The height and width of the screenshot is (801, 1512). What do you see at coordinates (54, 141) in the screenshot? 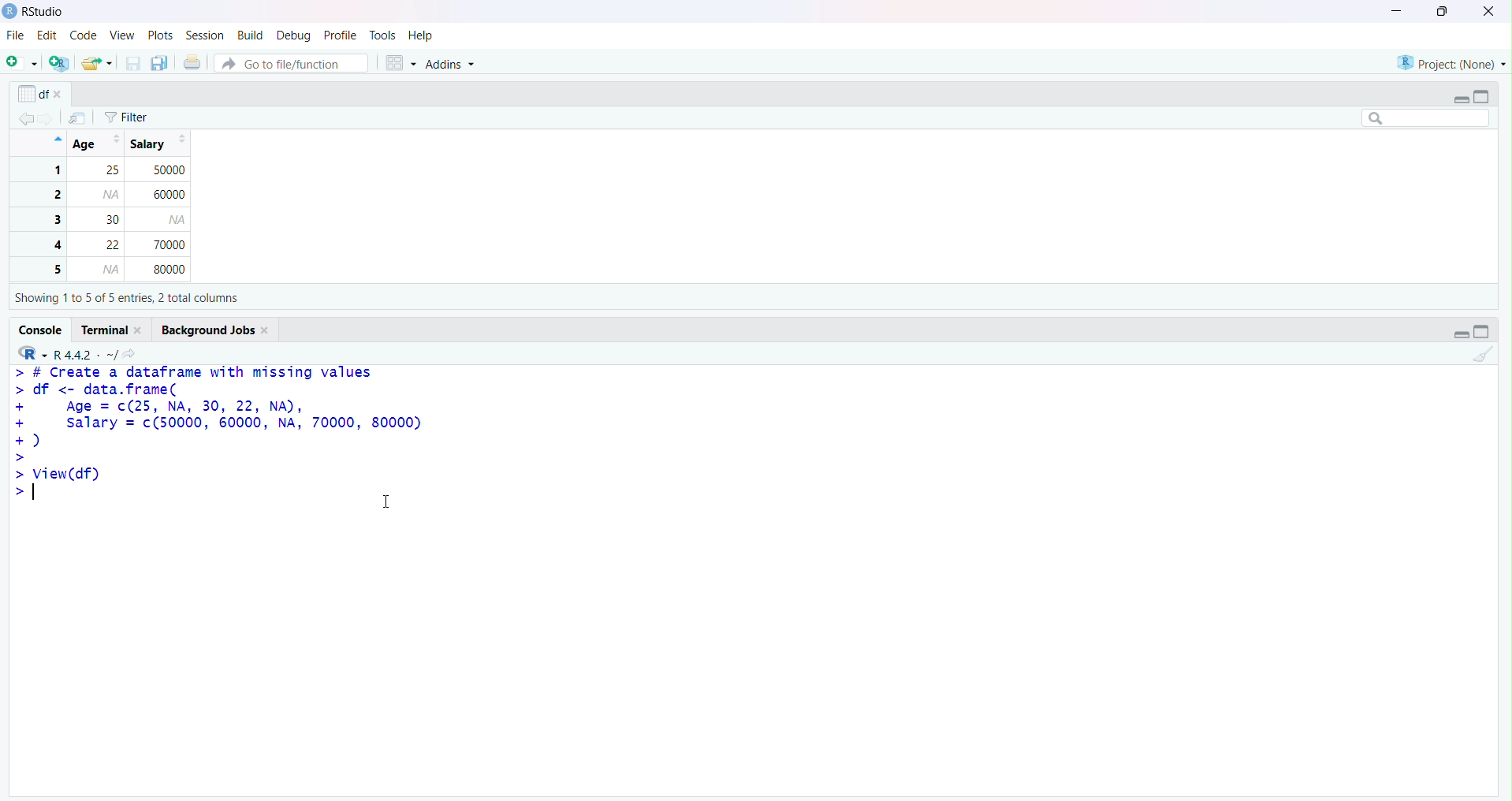
I see `Hide` at bounding box center [54, 141].